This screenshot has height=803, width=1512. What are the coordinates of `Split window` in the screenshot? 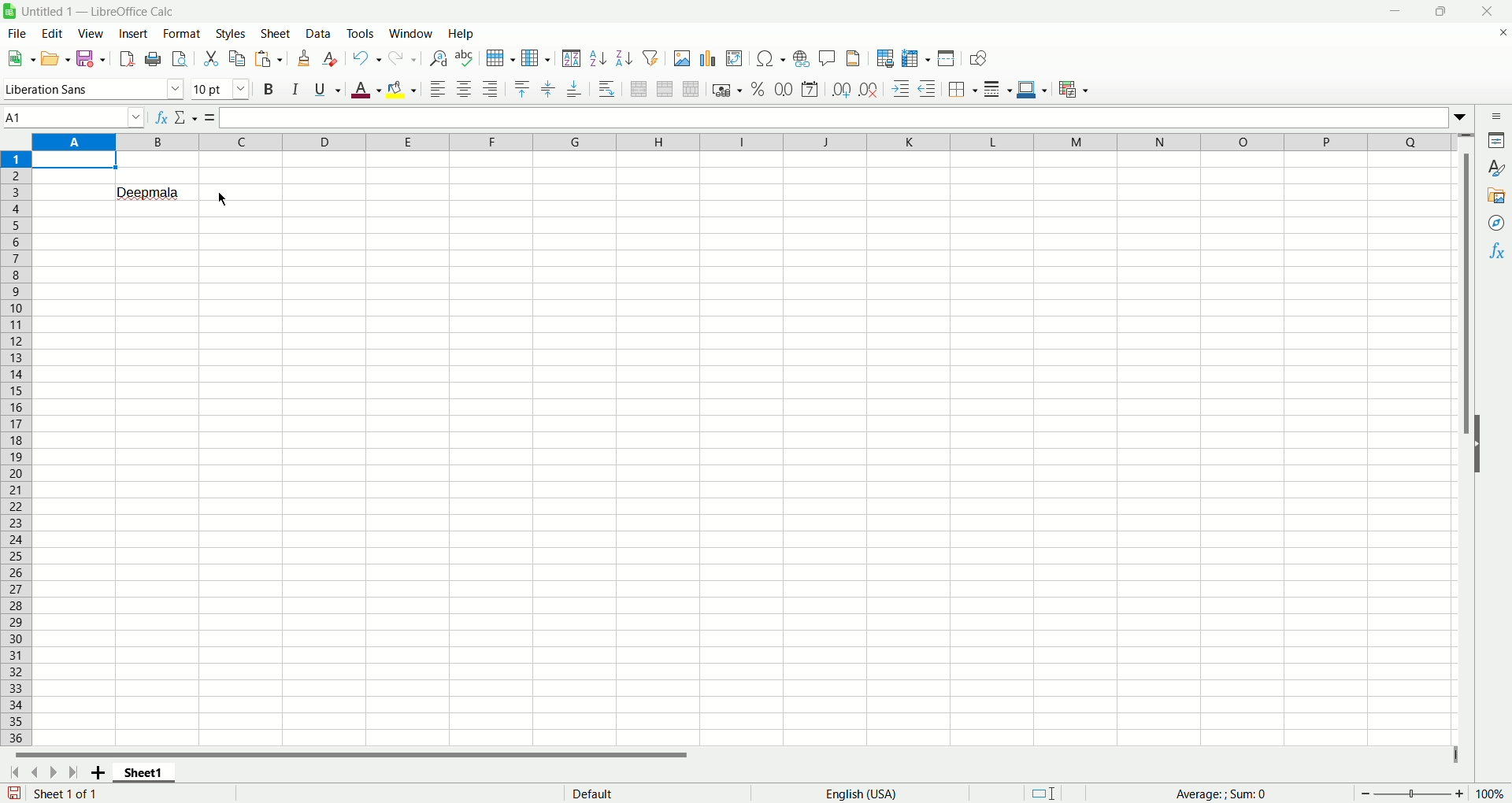 It's located at (946, 57).